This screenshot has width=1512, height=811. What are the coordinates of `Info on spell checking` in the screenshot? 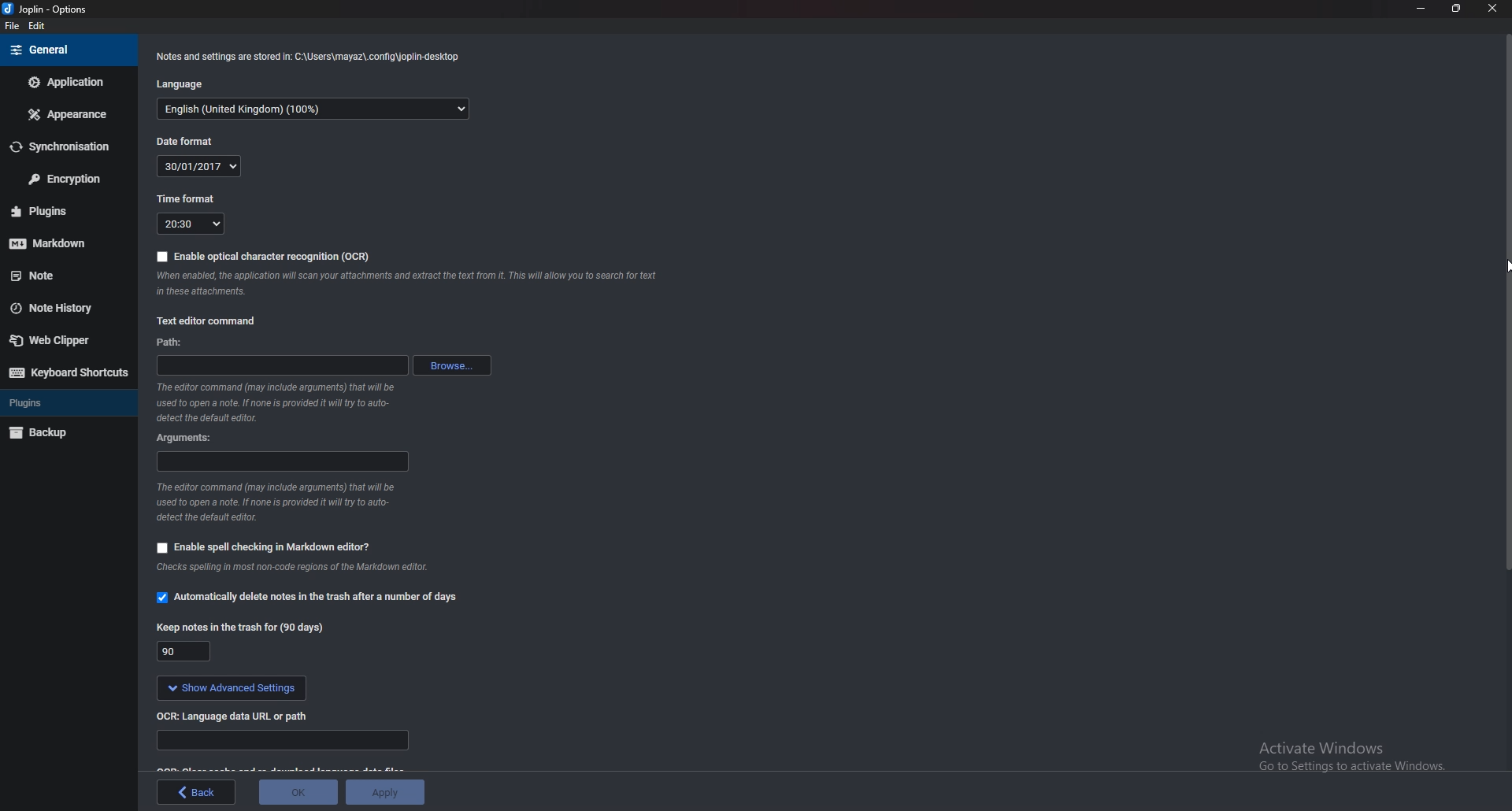 It's located at (298, 568).